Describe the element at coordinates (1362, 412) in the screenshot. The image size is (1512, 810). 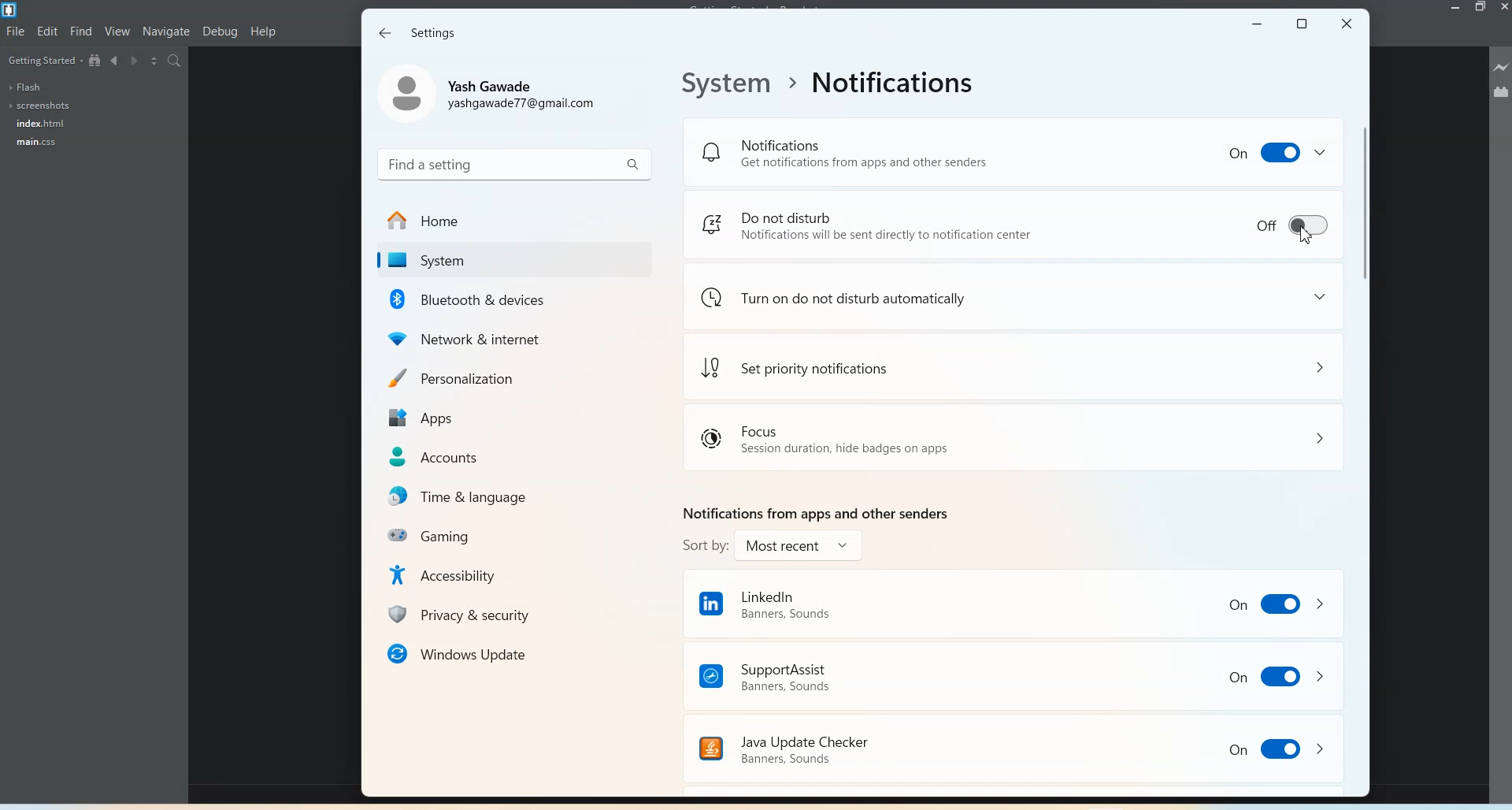
I see `Vertical Scroll bar` at that location.